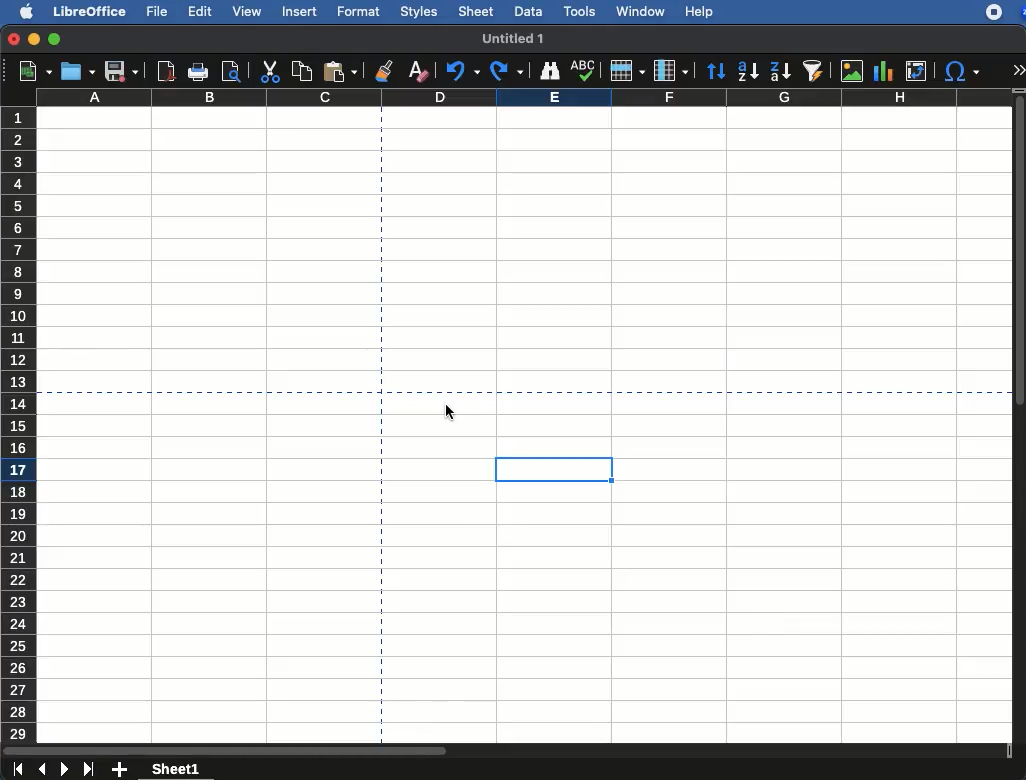  What do you see at coordinates (515, 39) in the screenshot?
I see `untitled 1` at bounding box center [515, 39].